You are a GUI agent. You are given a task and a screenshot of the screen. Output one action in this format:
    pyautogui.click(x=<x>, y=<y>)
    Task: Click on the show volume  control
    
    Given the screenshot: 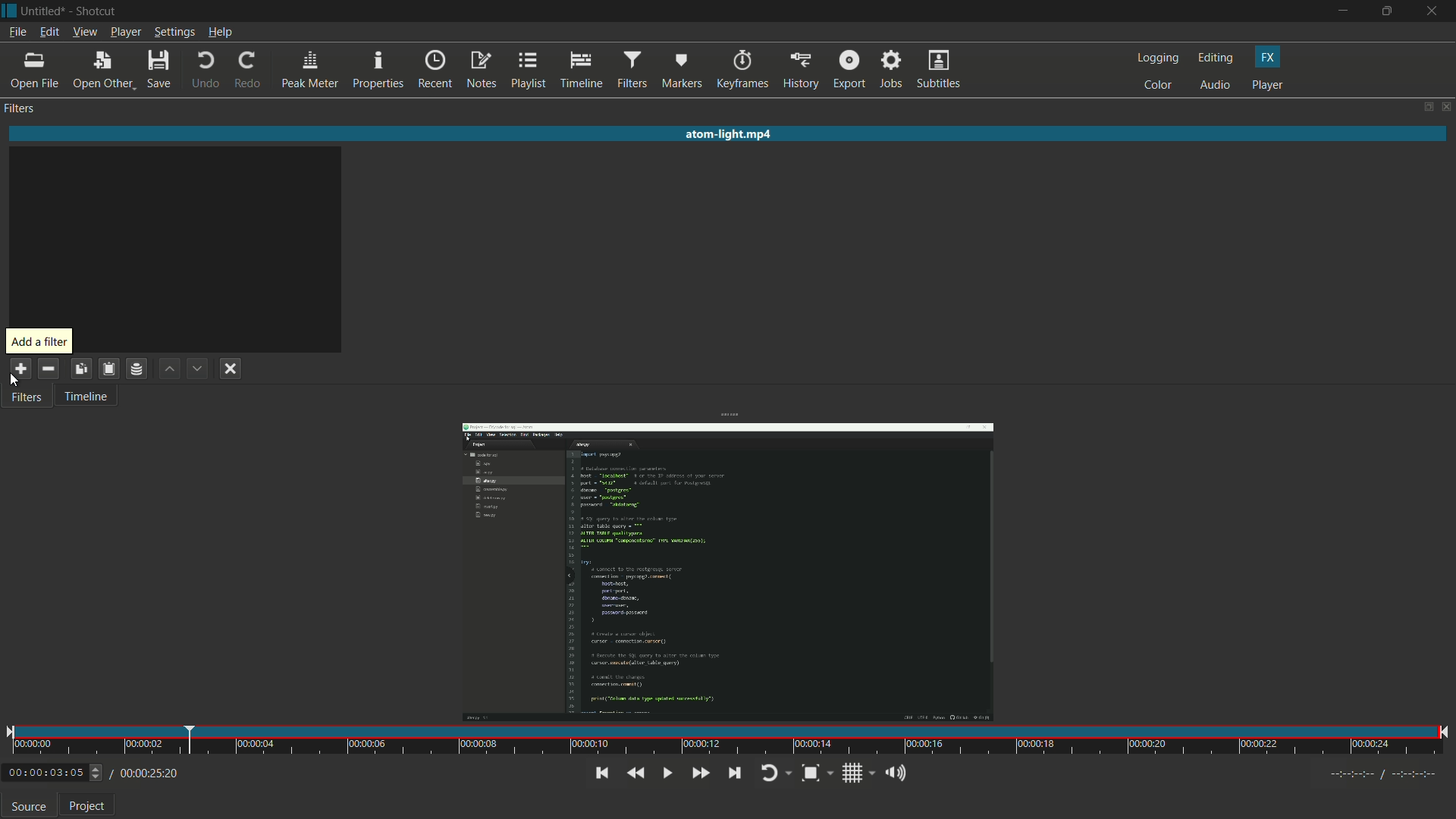 What is the action you would take?
    pyautogui.click(x=895, y=774)
    